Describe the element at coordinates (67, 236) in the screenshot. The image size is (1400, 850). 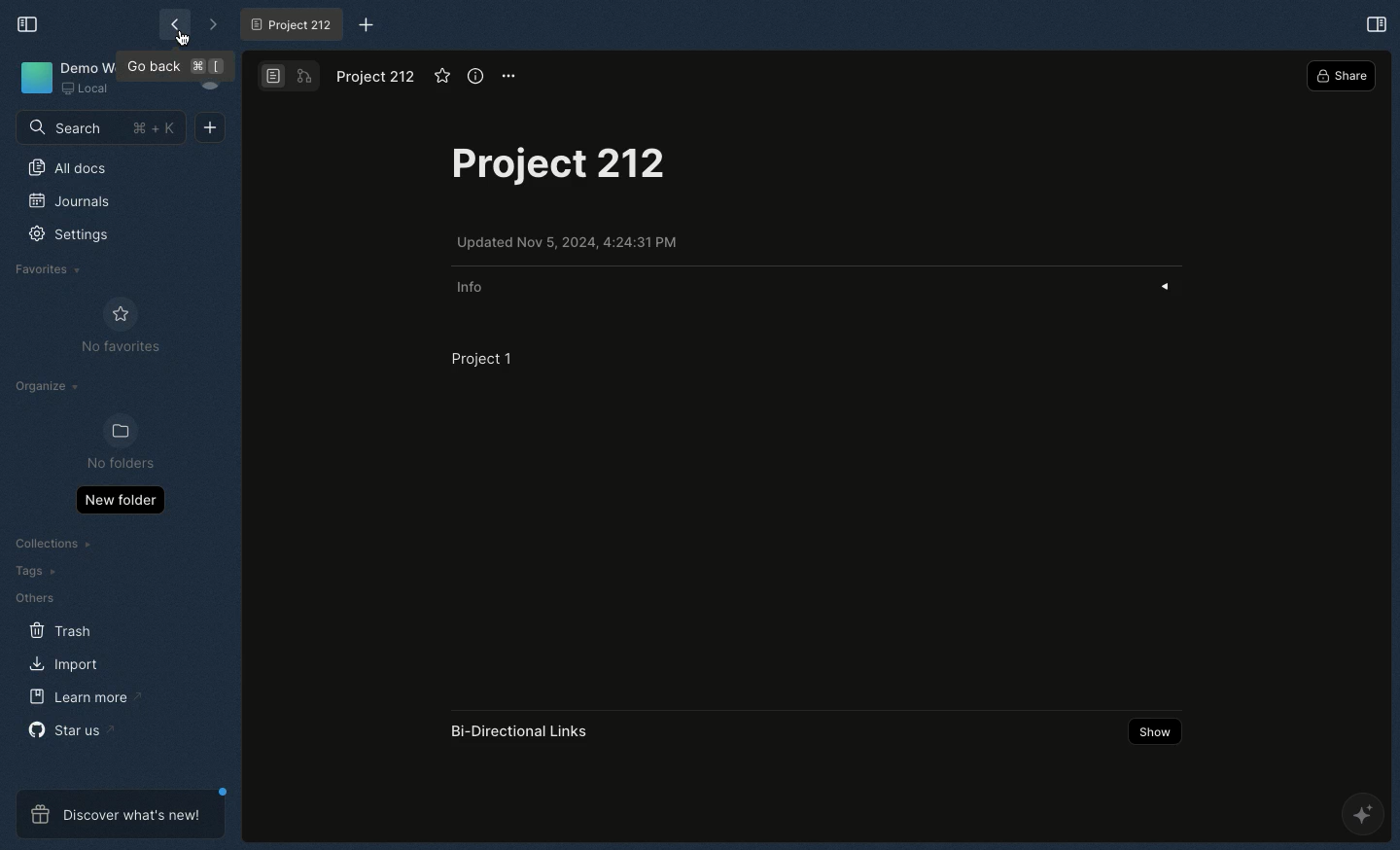
I see `Settings` at that location.